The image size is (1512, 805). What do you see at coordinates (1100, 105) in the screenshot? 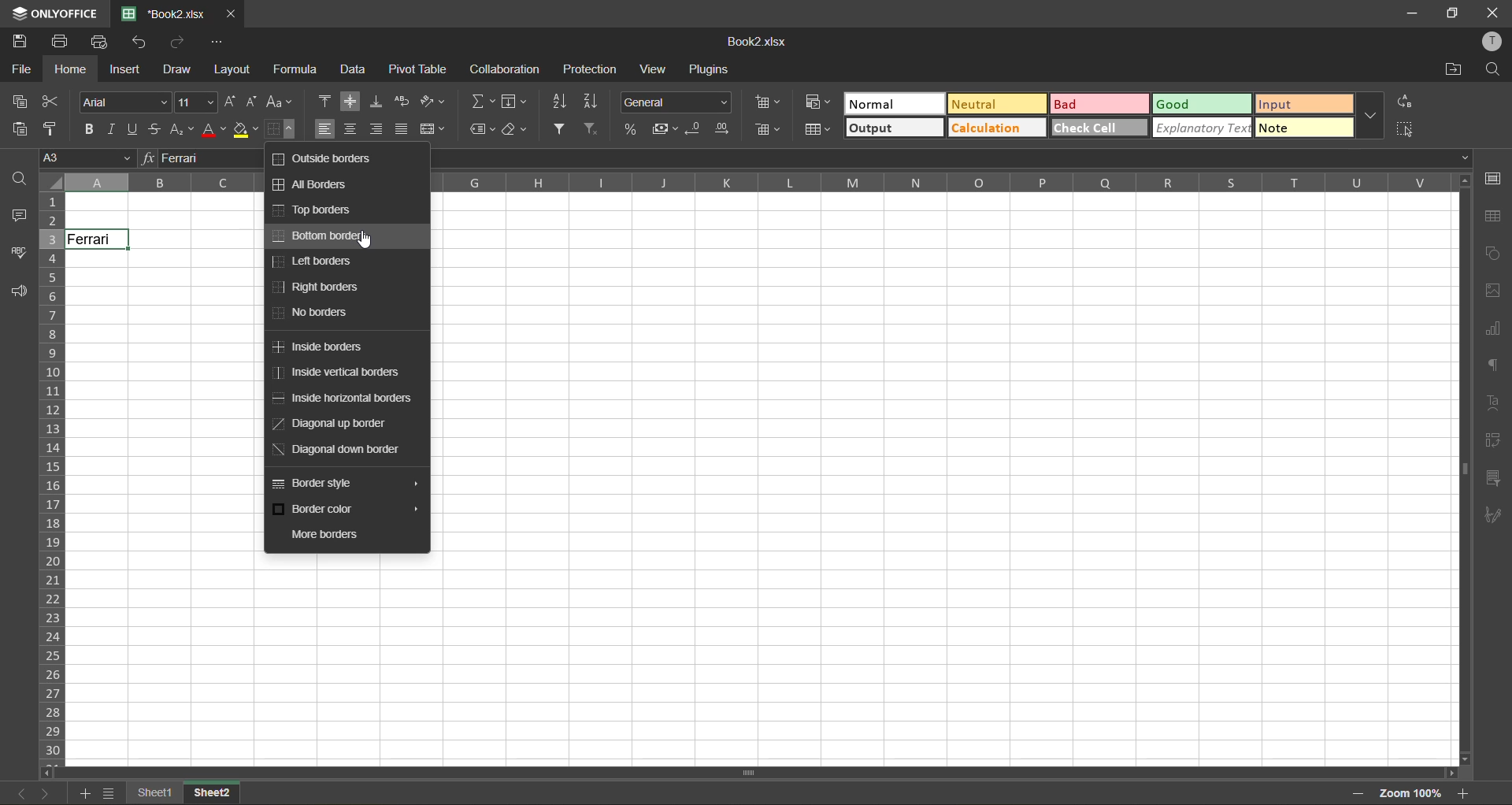
I see `bad` at bounding box center [1100, 105].